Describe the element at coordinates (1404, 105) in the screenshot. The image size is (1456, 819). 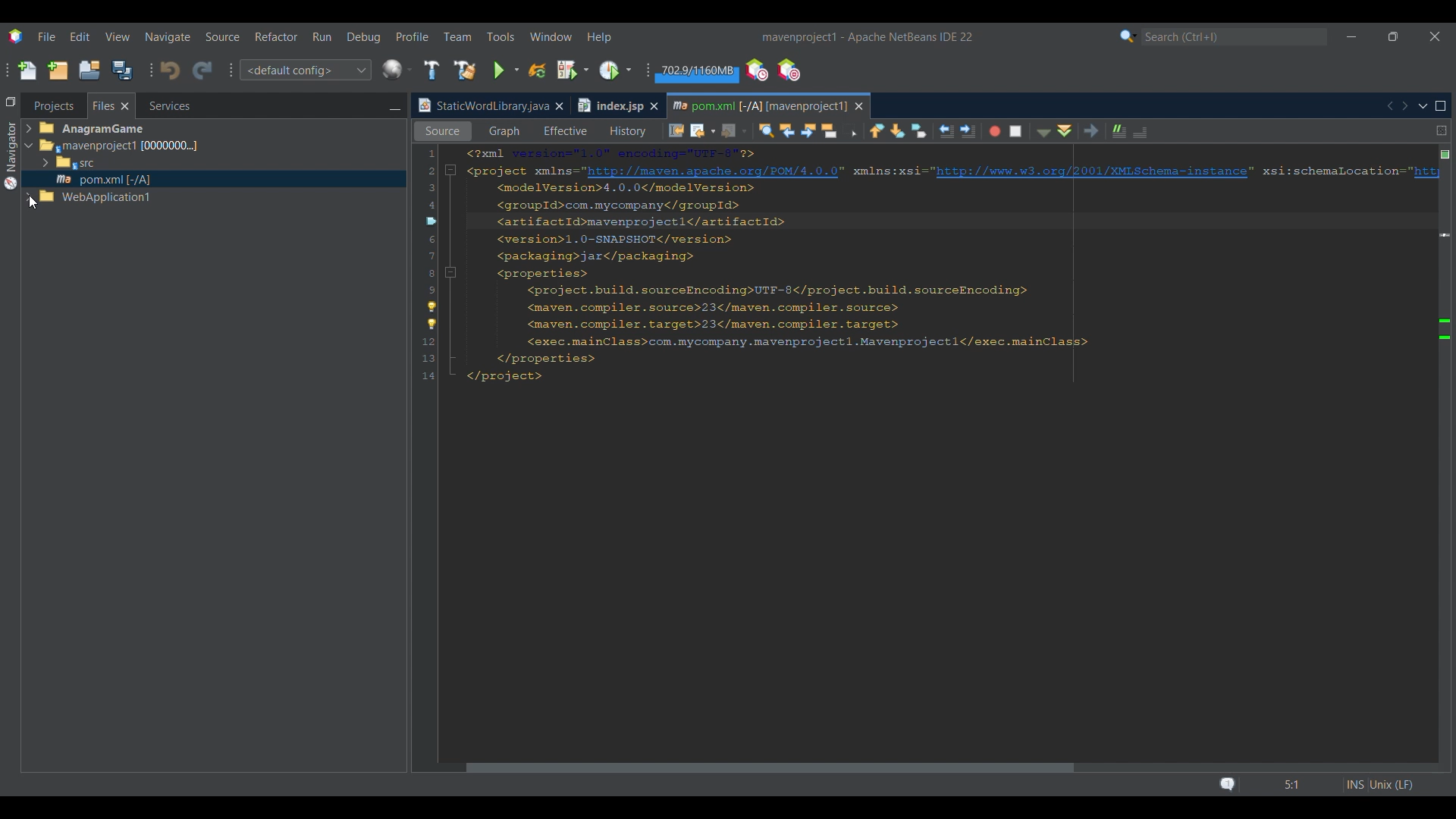
I see `Next` at that location.